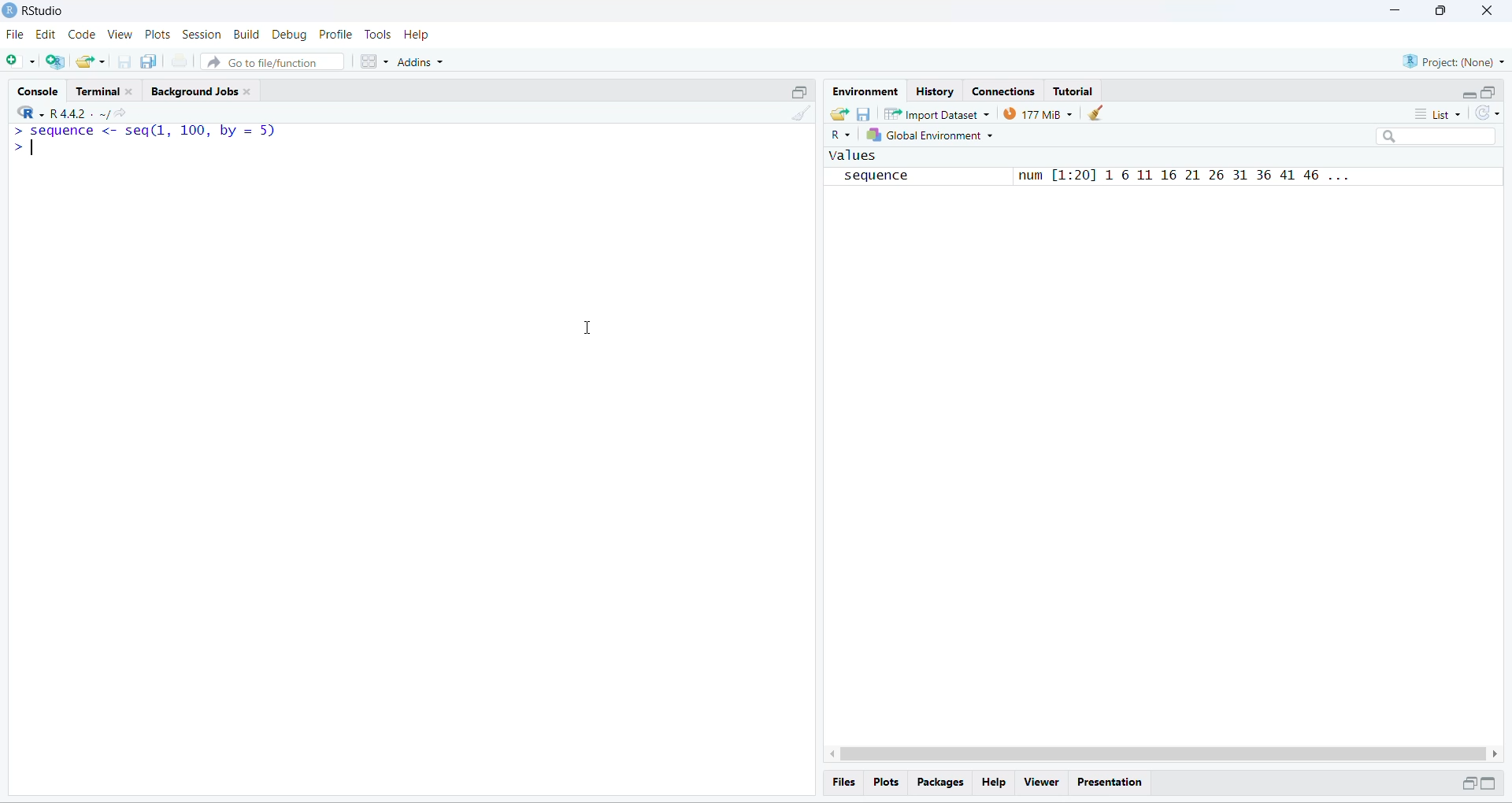 The image size is (1512, 803). What do you see at coordinates (98, 91) in the screenshot?
I see `terminal` at bounding box center [98, 91].